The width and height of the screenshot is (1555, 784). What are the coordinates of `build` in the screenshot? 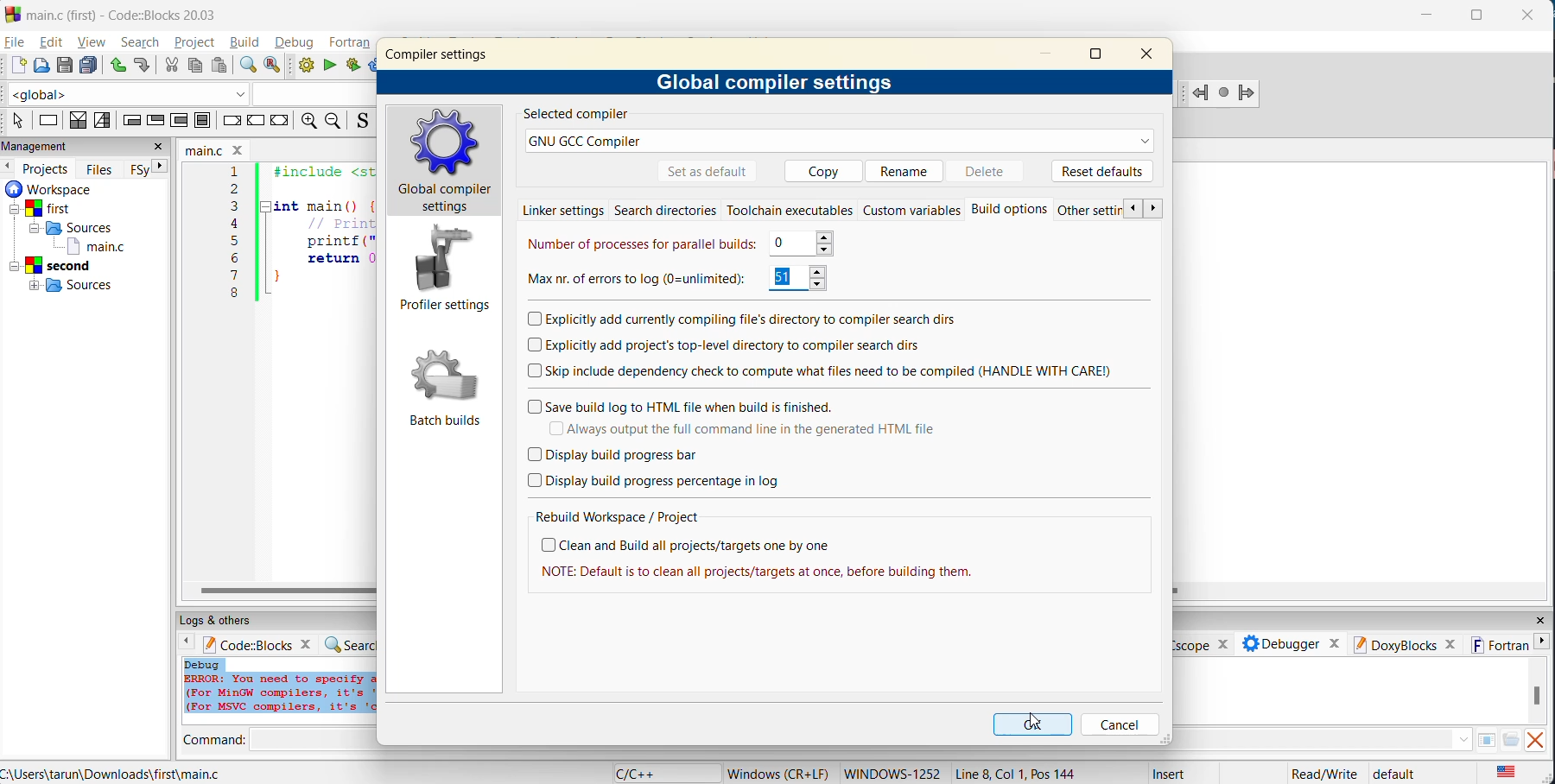 It's located at (246, 44).